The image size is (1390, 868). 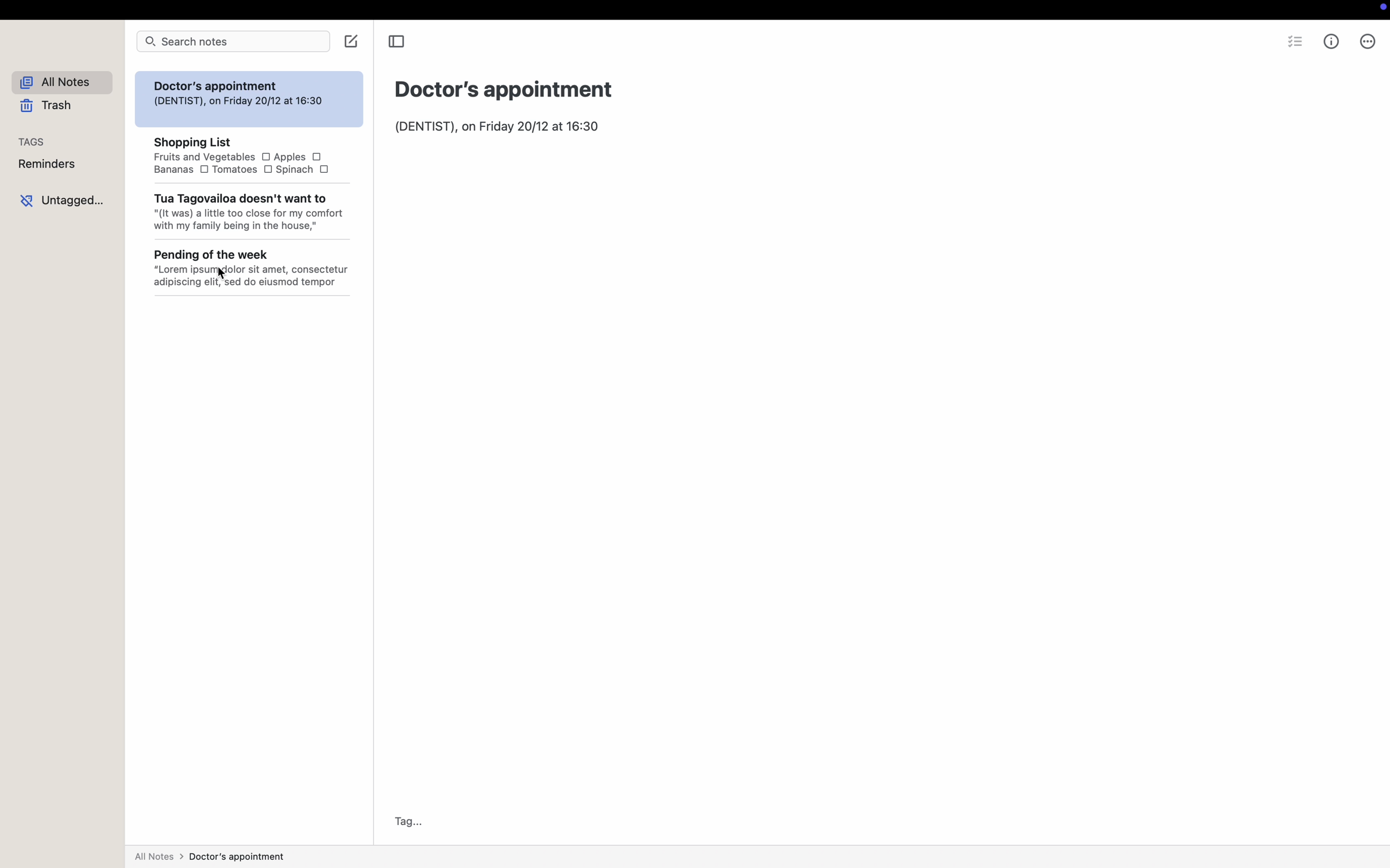 I want to click on reminders, so click(x=49, y=165).